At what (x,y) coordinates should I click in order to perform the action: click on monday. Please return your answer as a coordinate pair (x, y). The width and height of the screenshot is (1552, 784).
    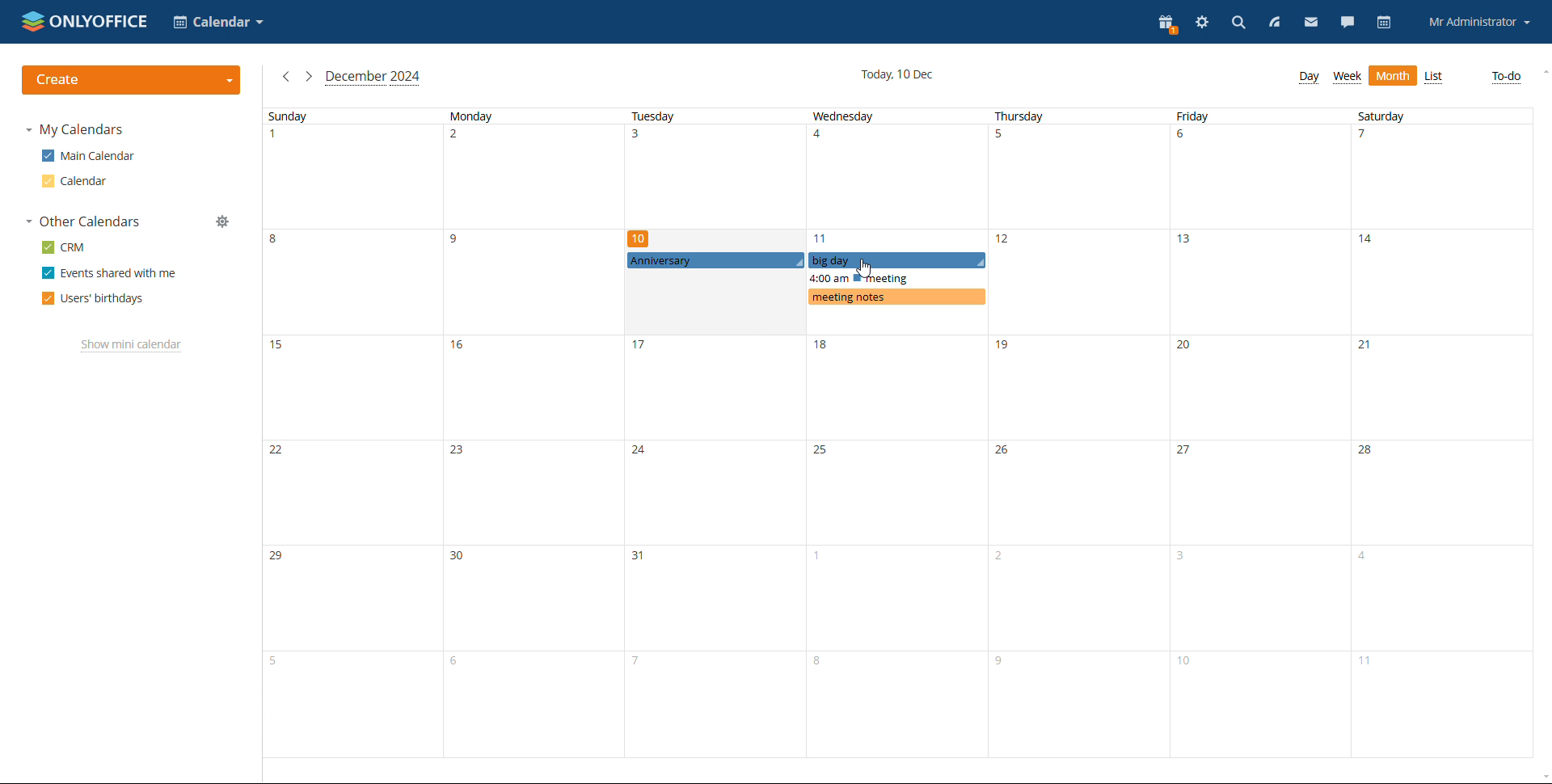
    Looking at the image, I should click on (536, 433).